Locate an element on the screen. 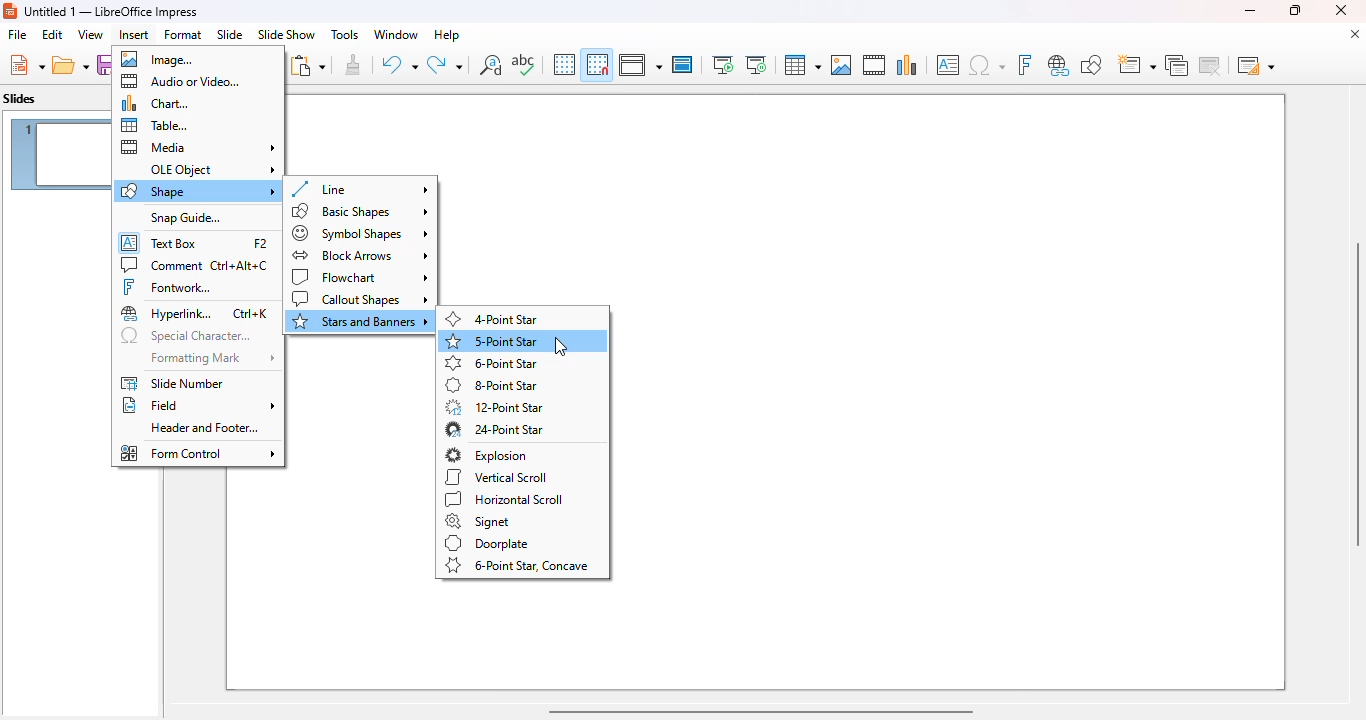 The height and width of the screenshot is (720, 1366). special characters is located at coordinates (186, 337).